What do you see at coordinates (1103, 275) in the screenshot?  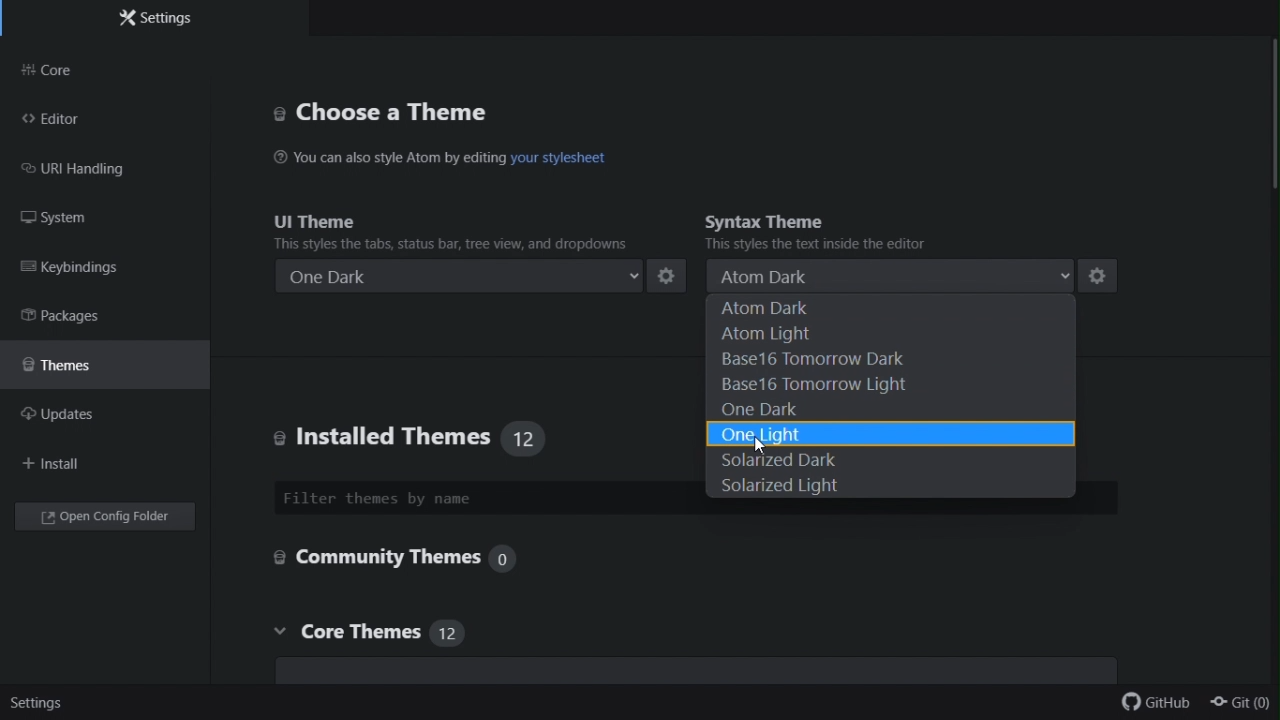 I see `settings` at bounding box center [1103, 275].